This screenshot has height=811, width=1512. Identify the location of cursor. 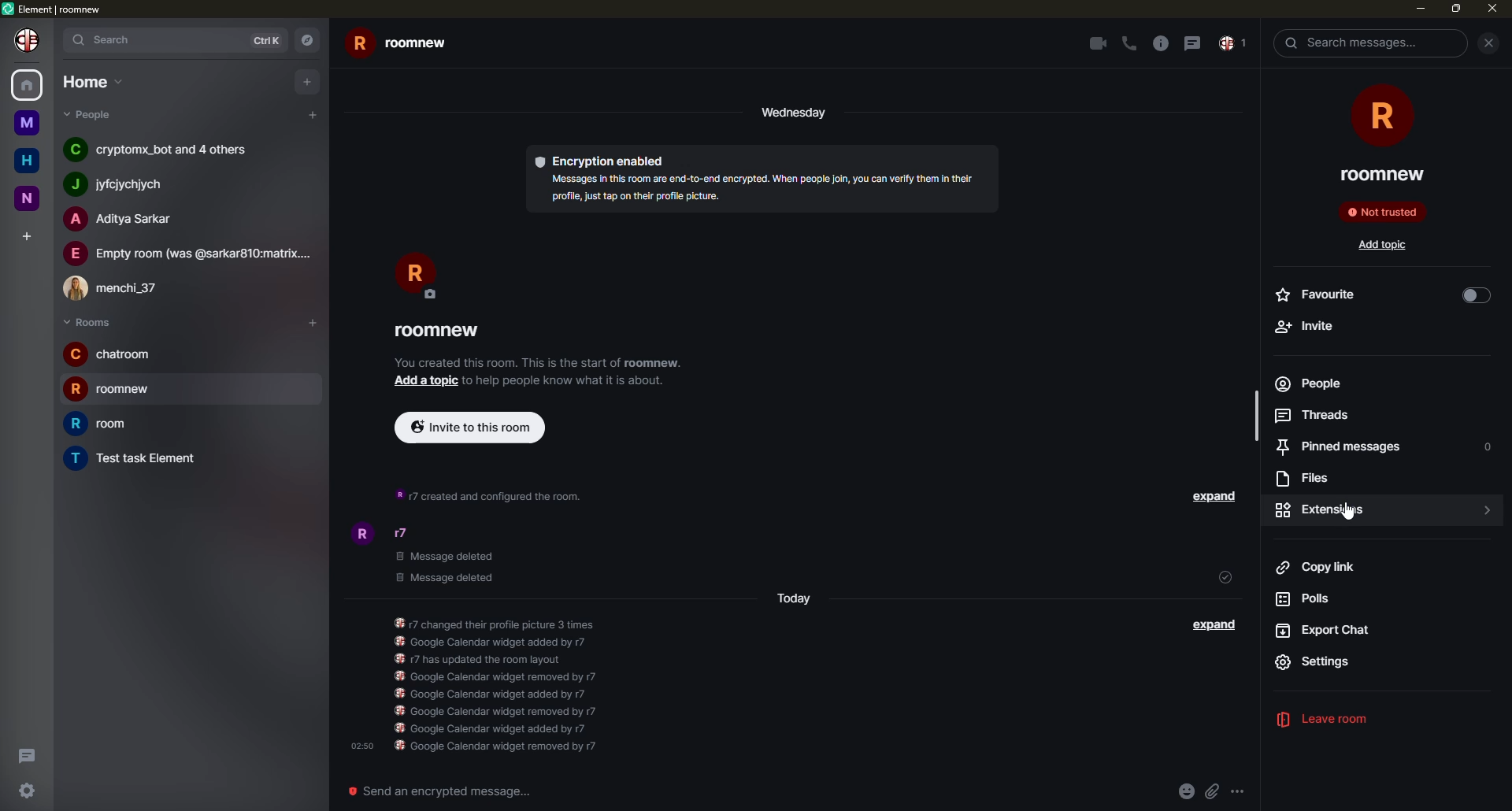
(1351, 513).